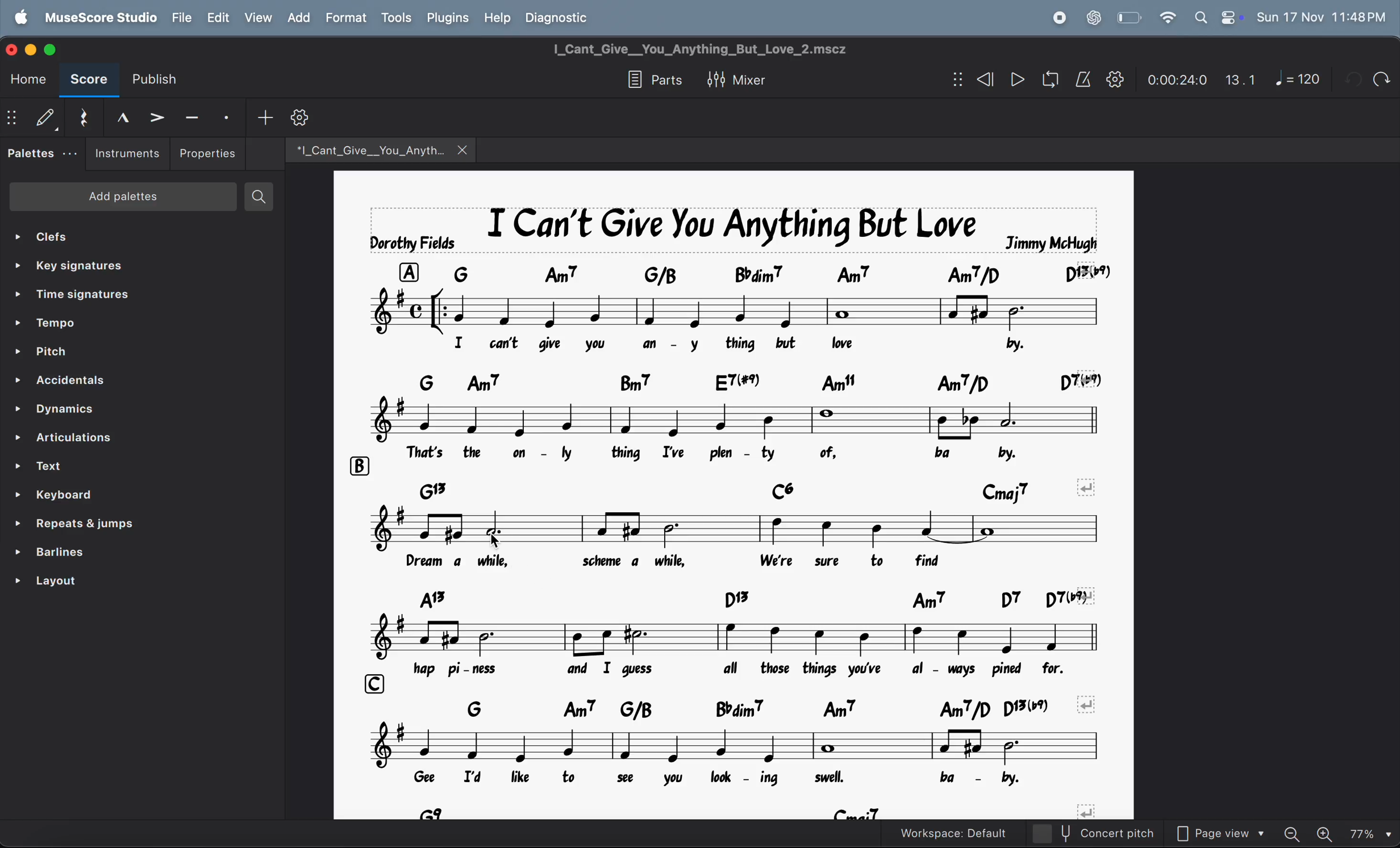  What do you see at coordinates (1336, 834) in the screenshot?
I see `zoom in zoom out` at bounding box center [1336, 834].